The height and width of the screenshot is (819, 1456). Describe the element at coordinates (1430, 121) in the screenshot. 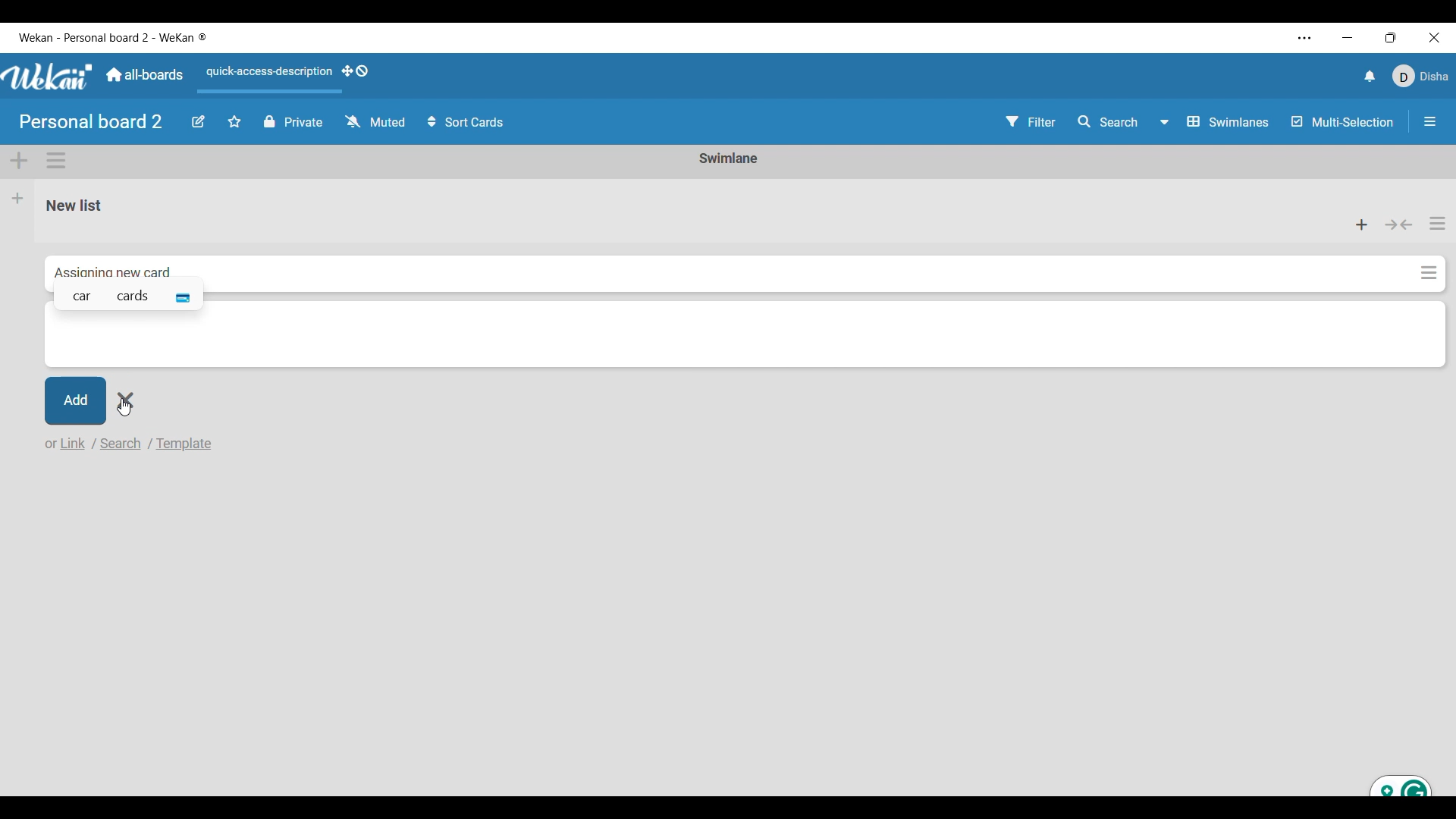

I see `Open/Close sidebar` at that location.